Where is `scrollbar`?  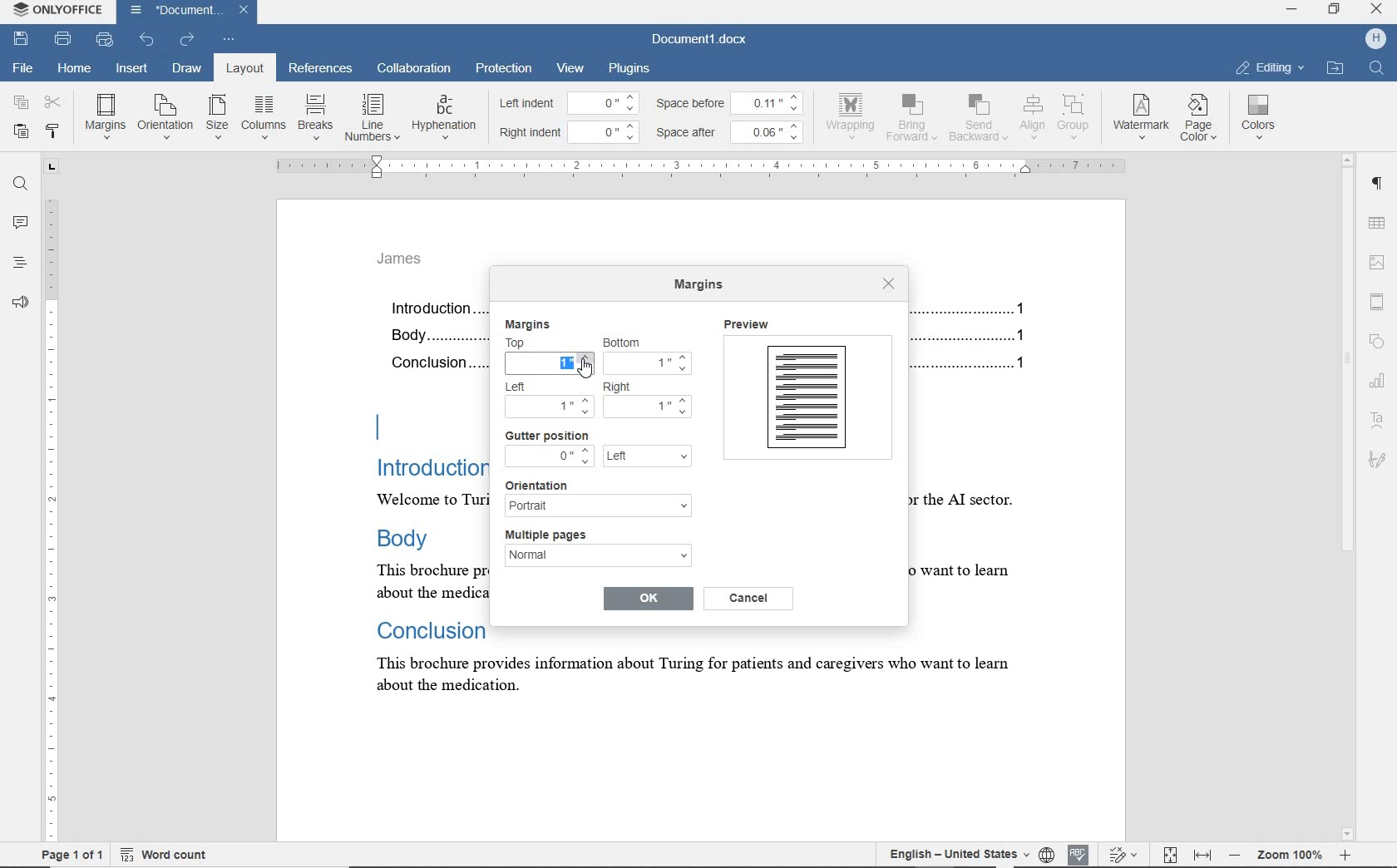 scrollbar is located at coordinates (1348, 497).